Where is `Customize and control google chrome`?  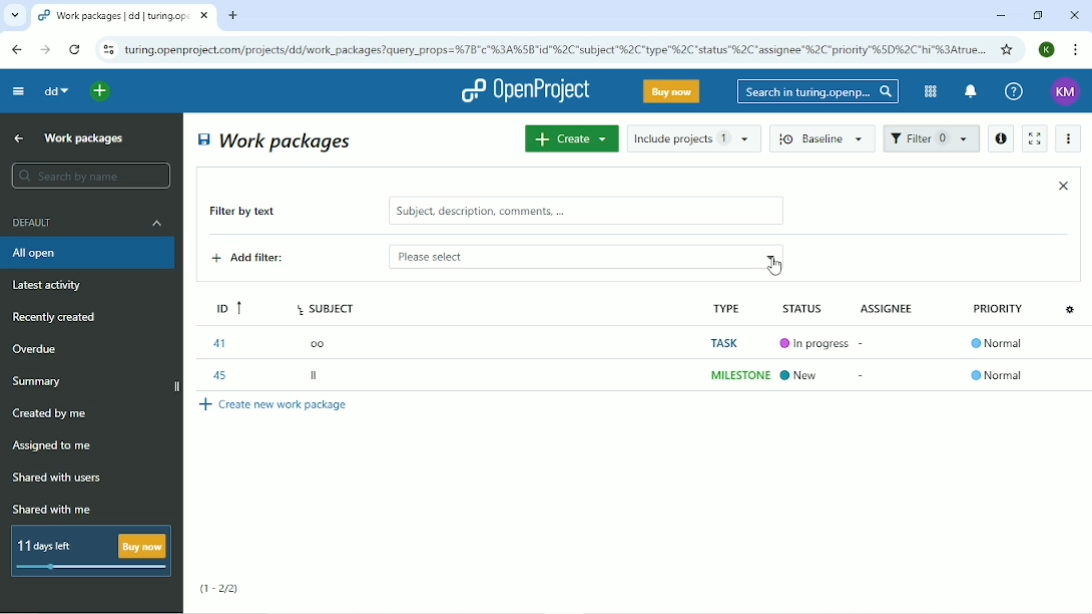
Customize and control google chrome is located at coordinates (1077, 50).